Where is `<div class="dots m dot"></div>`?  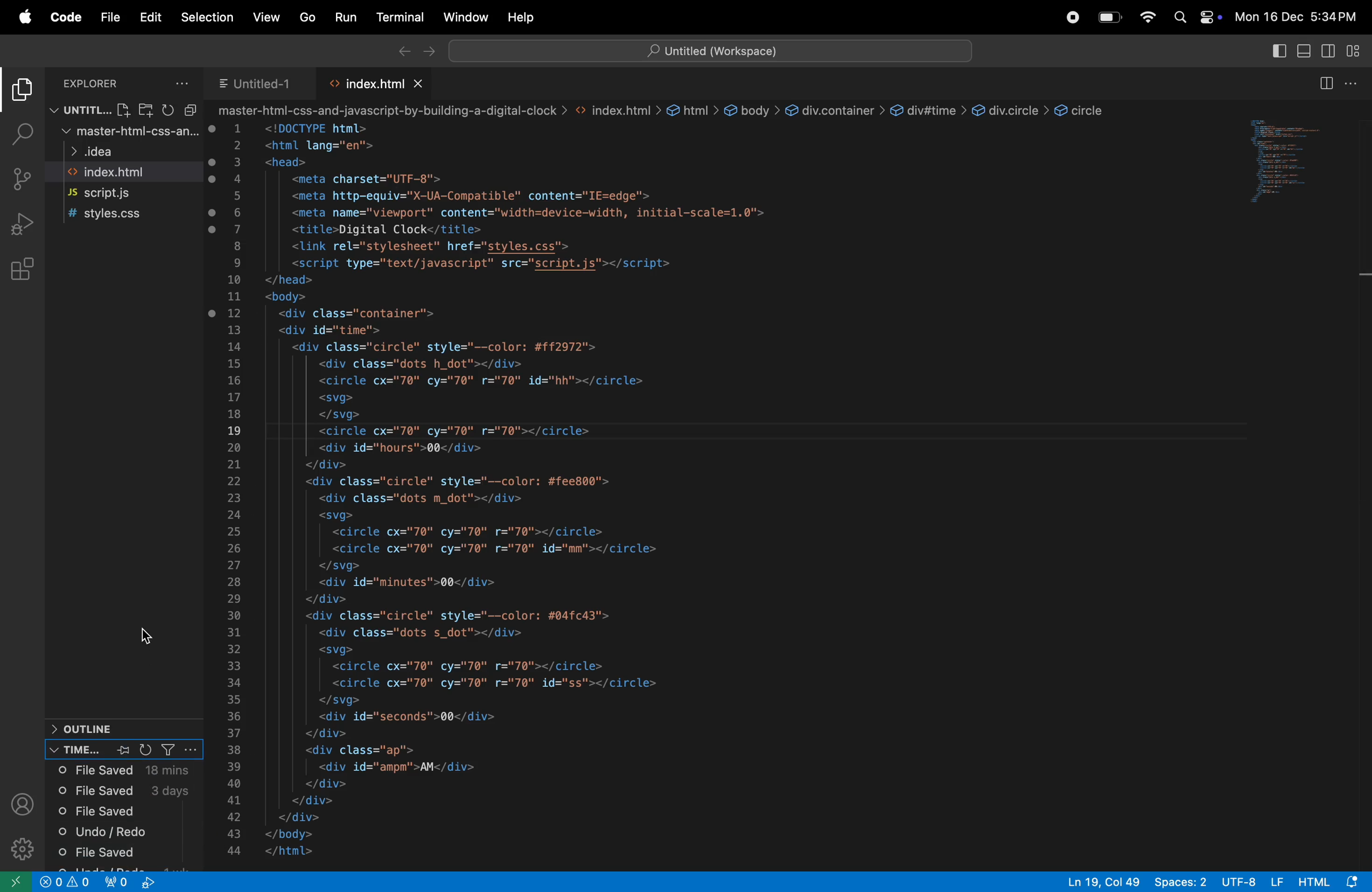
<div class="dots m dot"></div> is located at coordinates (419, 498).